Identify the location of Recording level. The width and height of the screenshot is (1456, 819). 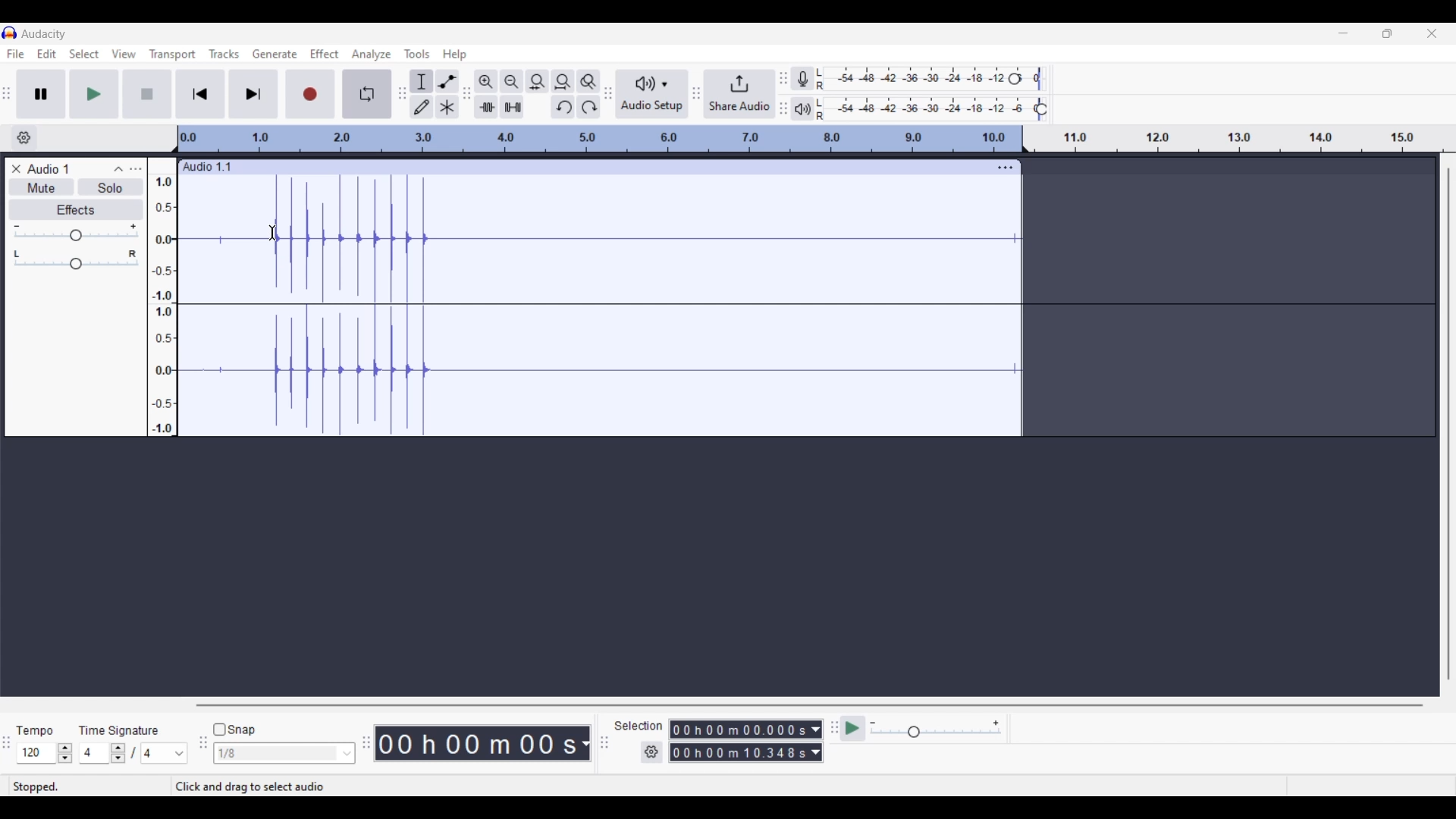
(914, 79).